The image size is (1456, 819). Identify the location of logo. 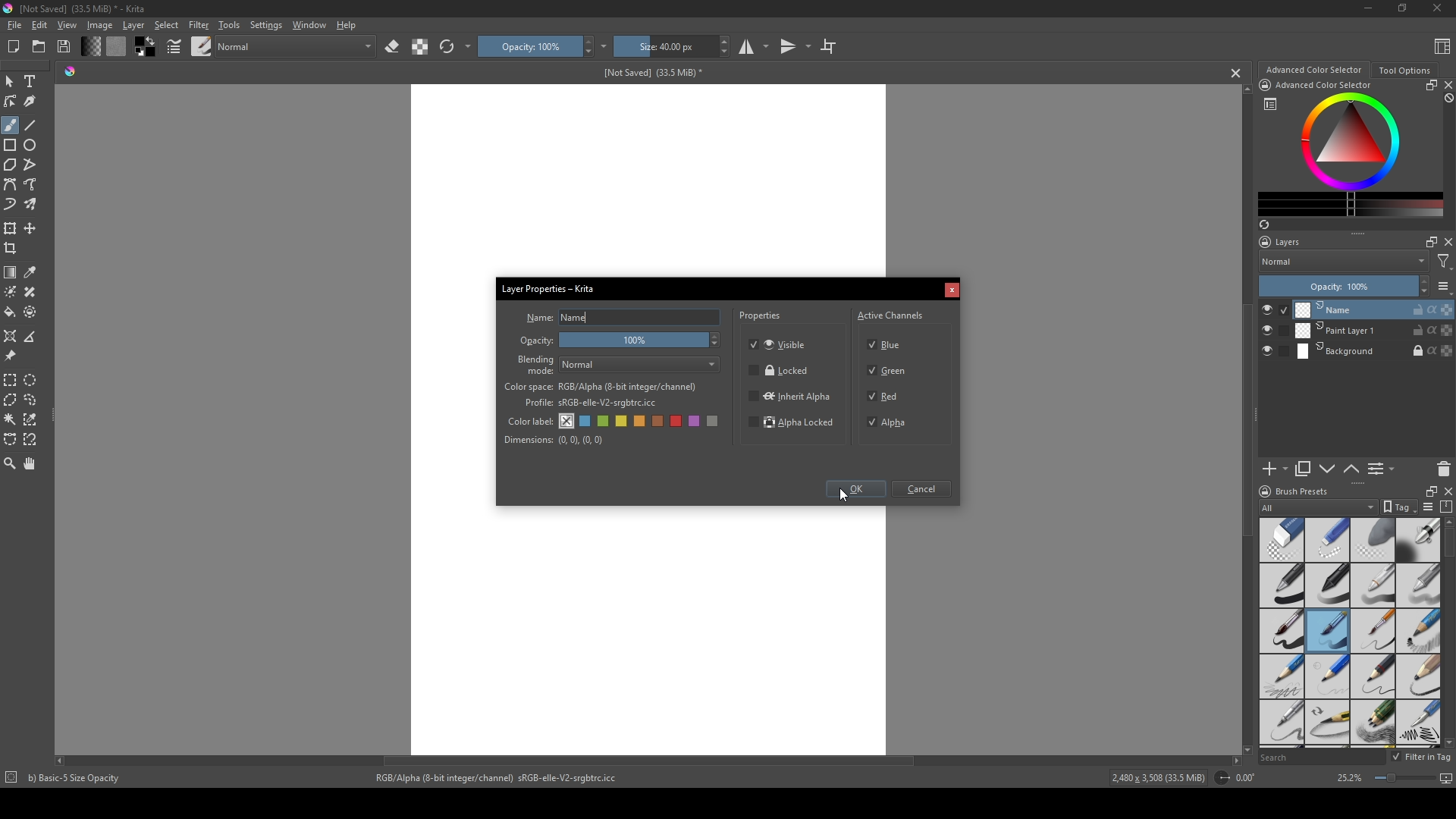
(1263, 491).